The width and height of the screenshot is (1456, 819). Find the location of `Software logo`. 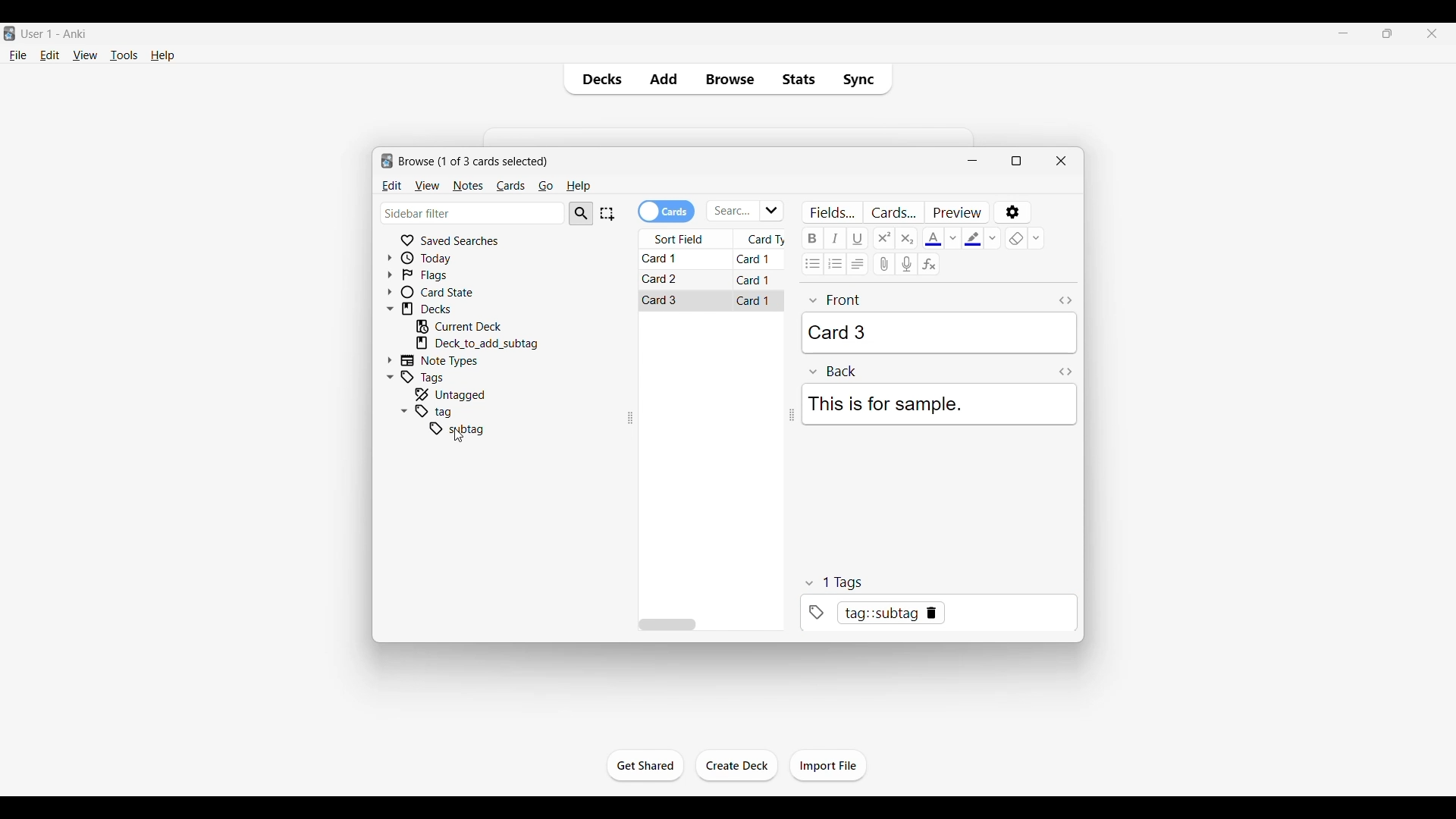

Software logo is located at coordinates (11, 33).